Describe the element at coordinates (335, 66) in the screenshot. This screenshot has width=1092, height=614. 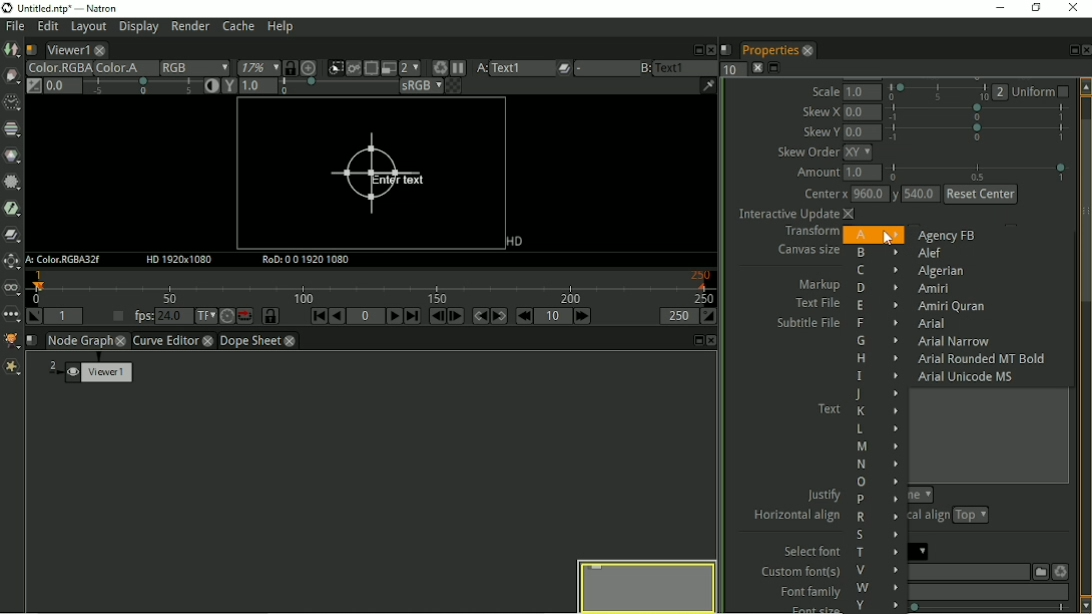
I see `Clips the portion of image` at that location.